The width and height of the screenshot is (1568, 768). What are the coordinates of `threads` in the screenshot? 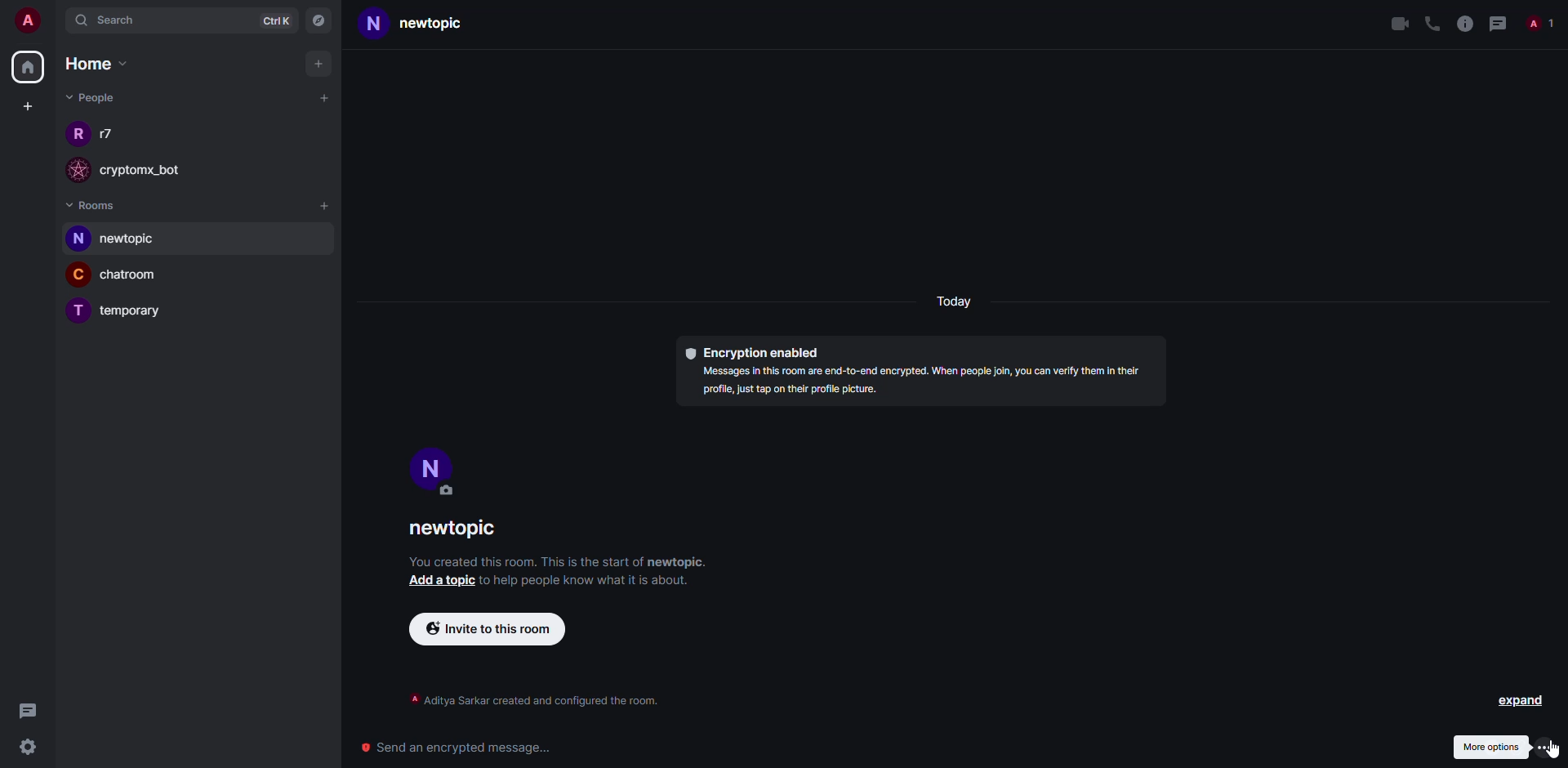 It's located at (27, 710).